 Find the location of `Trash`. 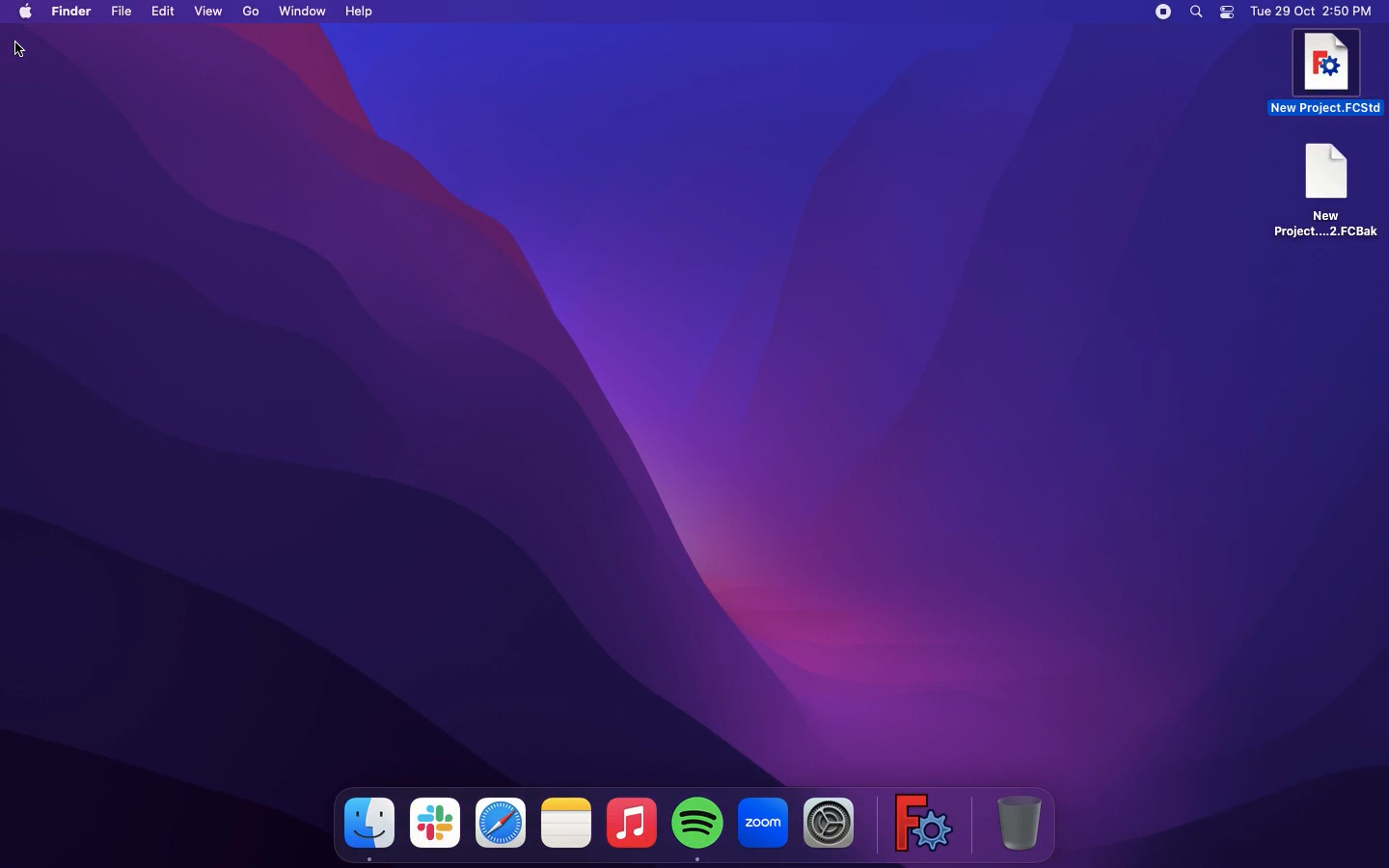

Trash is located at coordinates (1021, 821).